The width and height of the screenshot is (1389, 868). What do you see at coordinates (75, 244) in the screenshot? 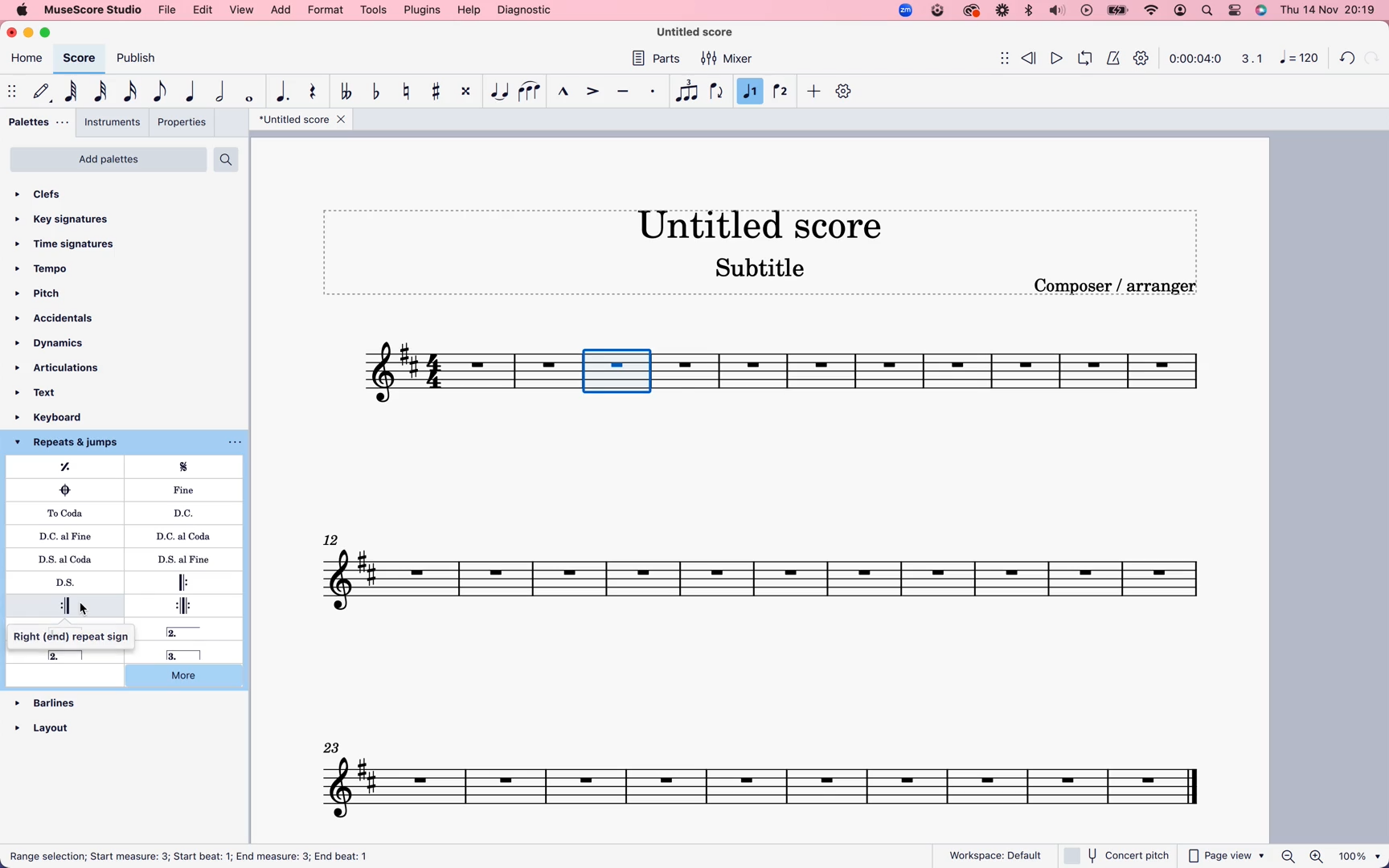
I see `time signatures` at bounding box center [75, 244].